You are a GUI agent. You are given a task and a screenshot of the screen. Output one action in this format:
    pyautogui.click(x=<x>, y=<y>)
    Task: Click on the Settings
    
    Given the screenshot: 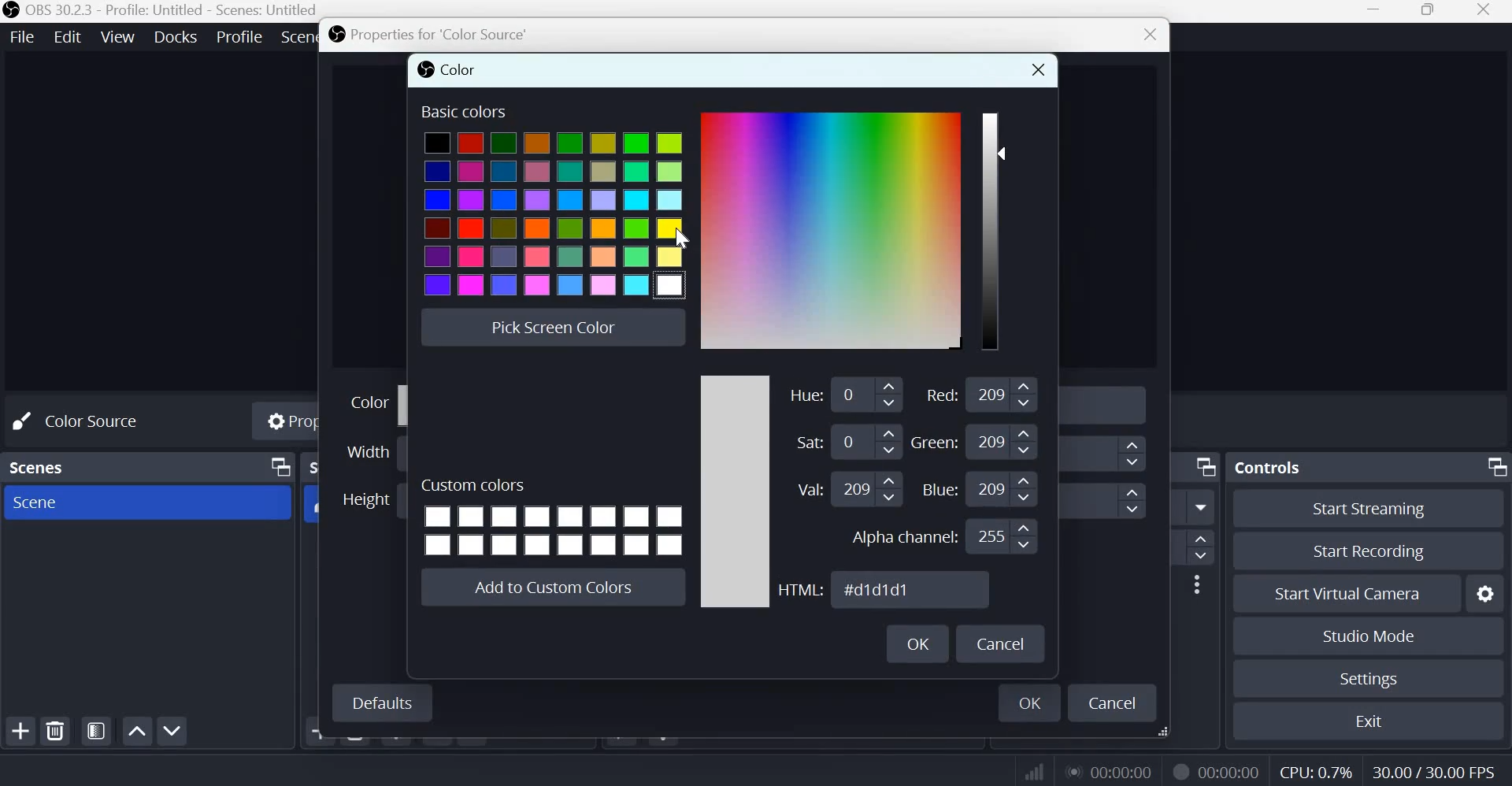 What is the action you would take?
    pyautogui.click(x=1367, y=679)
    